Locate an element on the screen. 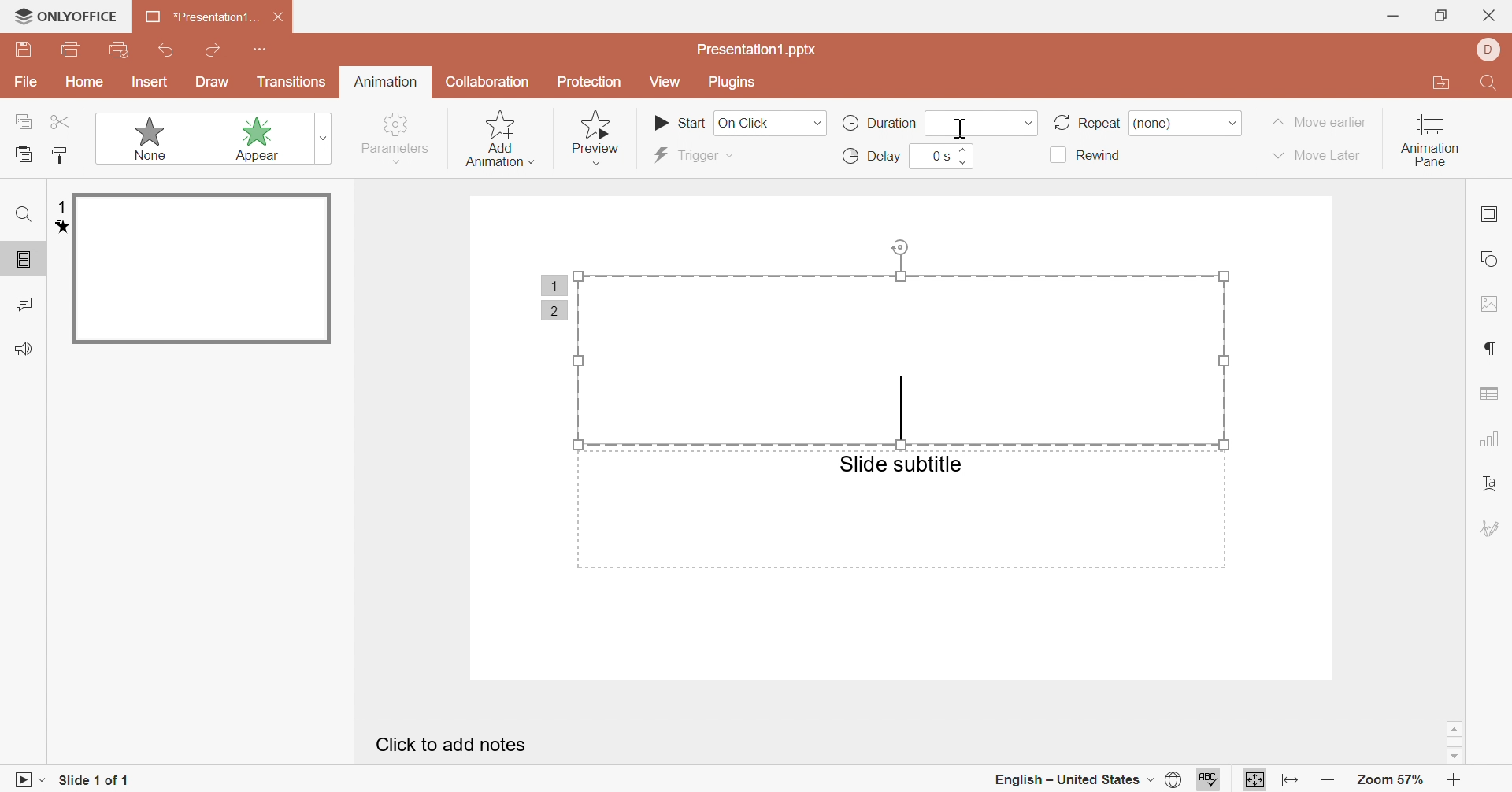 This screenshot has width=1512, height=792. undo is located at coordinates (166, 50).